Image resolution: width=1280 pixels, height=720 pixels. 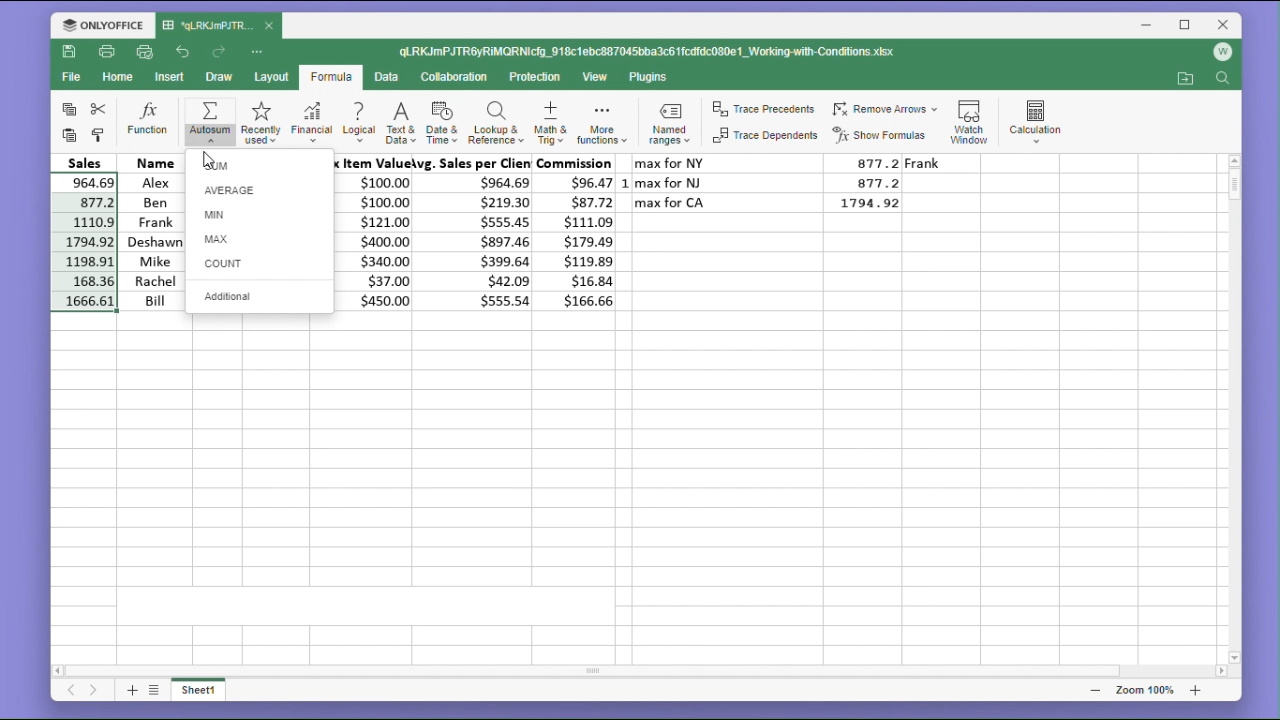 What do you see at coordinates (93, 692) in the screenshot?
I see `next sheet` at bounding box center [93, 692].